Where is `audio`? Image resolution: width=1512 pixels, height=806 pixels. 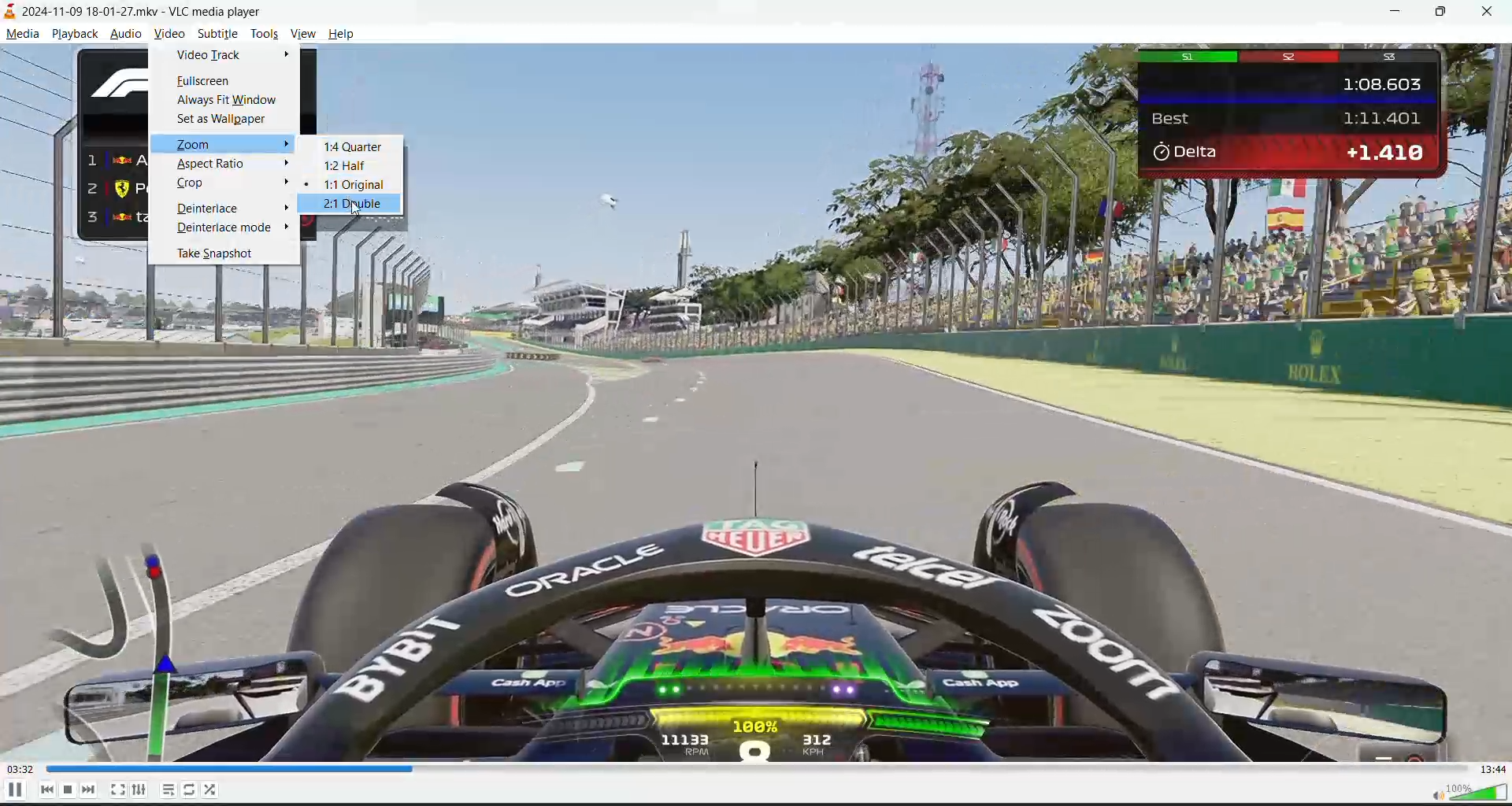
audio is located at coordinates (128, 31).